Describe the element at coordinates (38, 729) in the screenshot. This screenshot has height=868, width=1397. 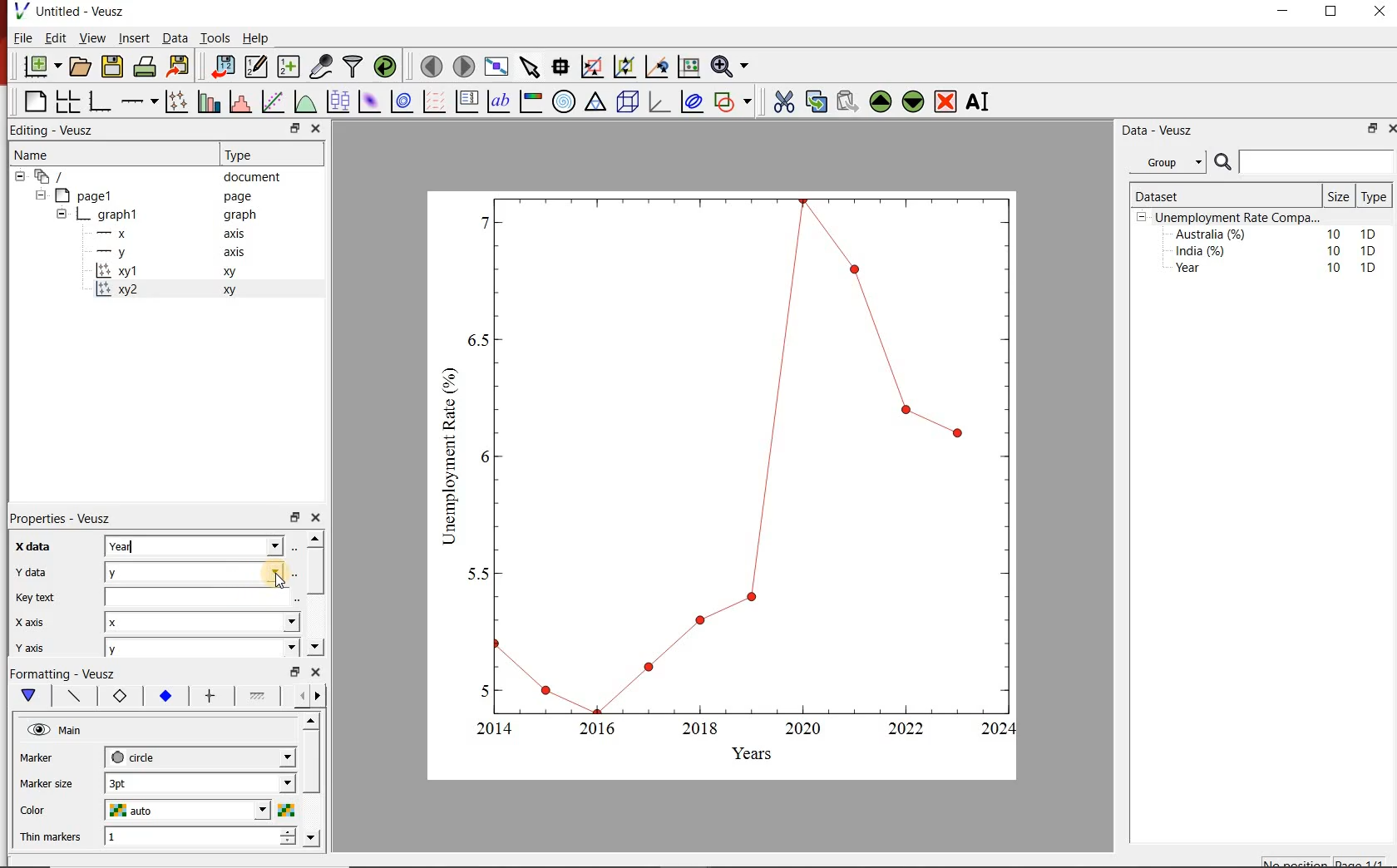
I see `hide/unhide` at that location.